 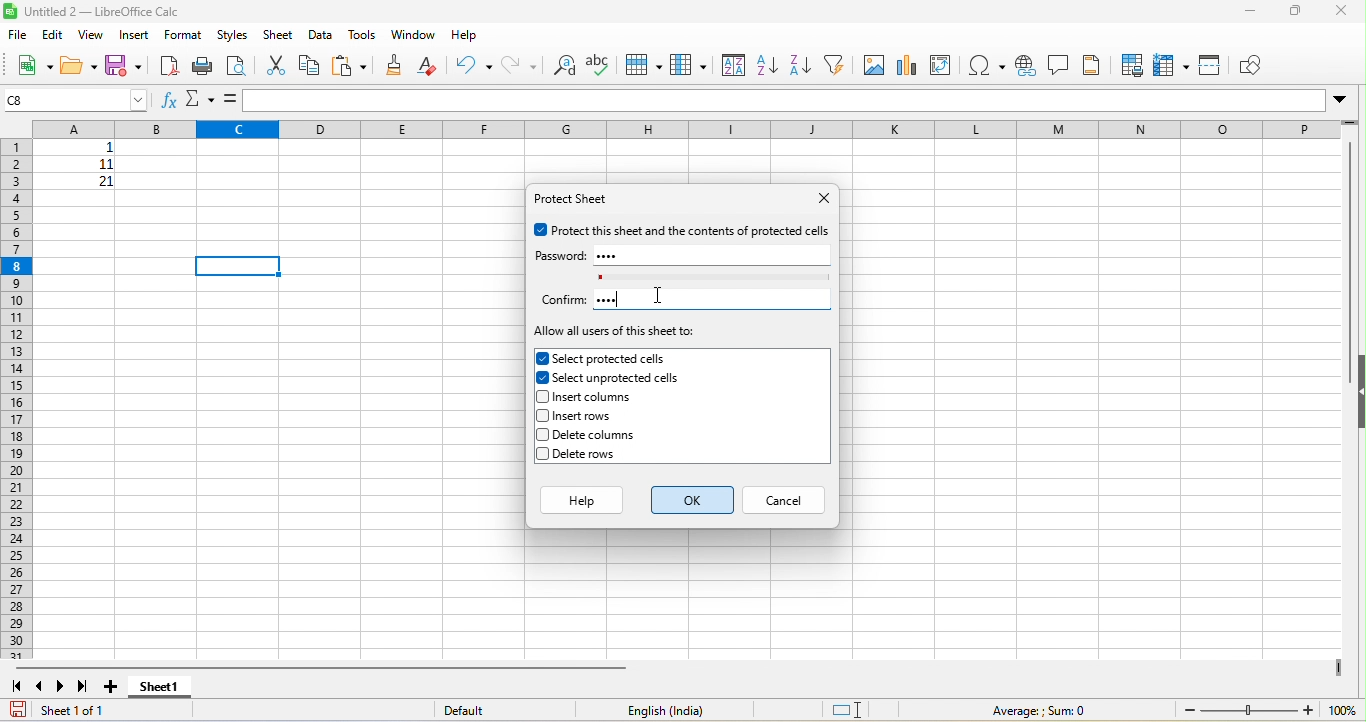 What do you see at coordinates (1345, 11) in the screenshot?
I see `close` at bounding box center [1345, 11].